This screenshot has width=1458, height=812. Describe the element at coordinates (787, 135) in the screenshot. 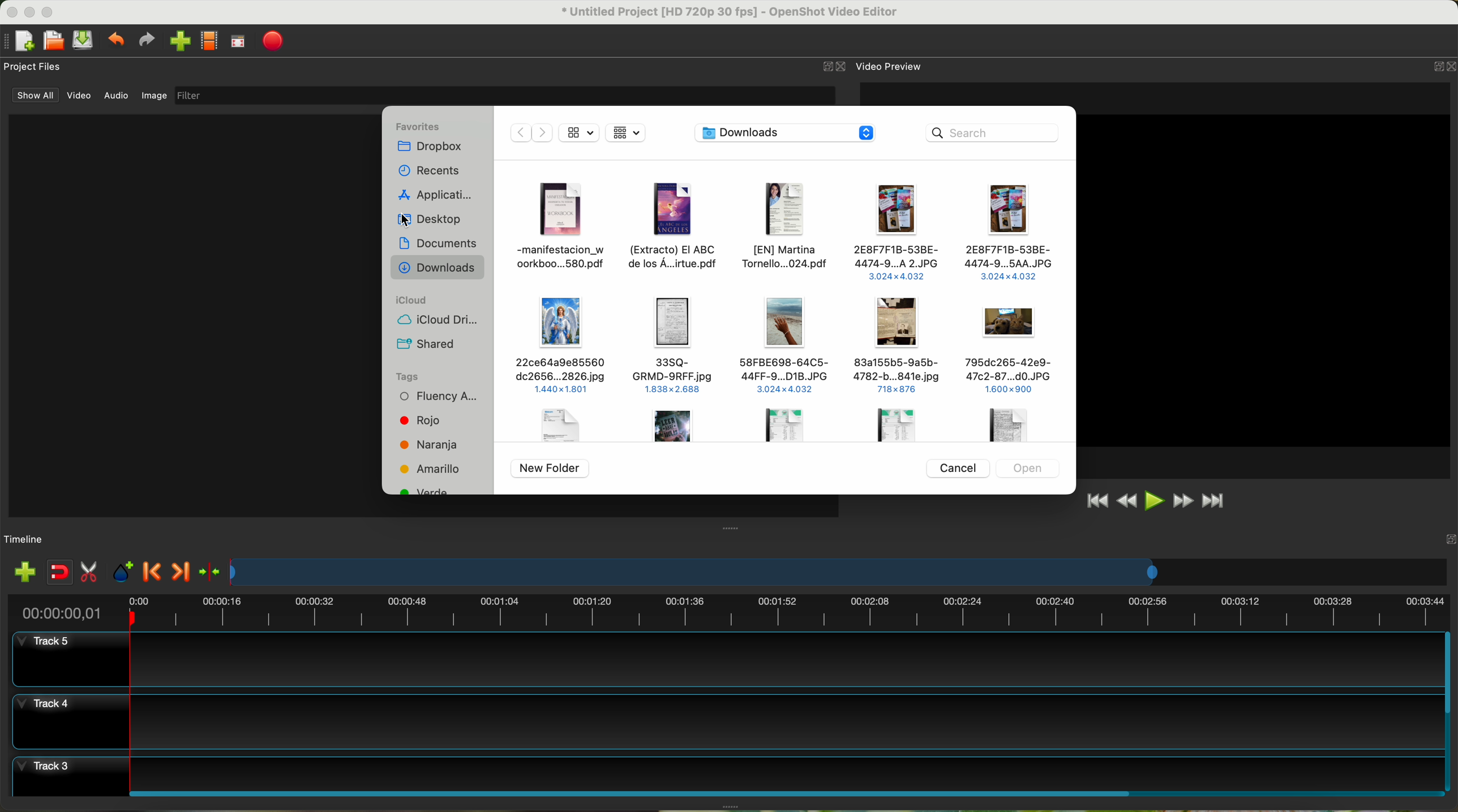

I see `desktop` at that location.